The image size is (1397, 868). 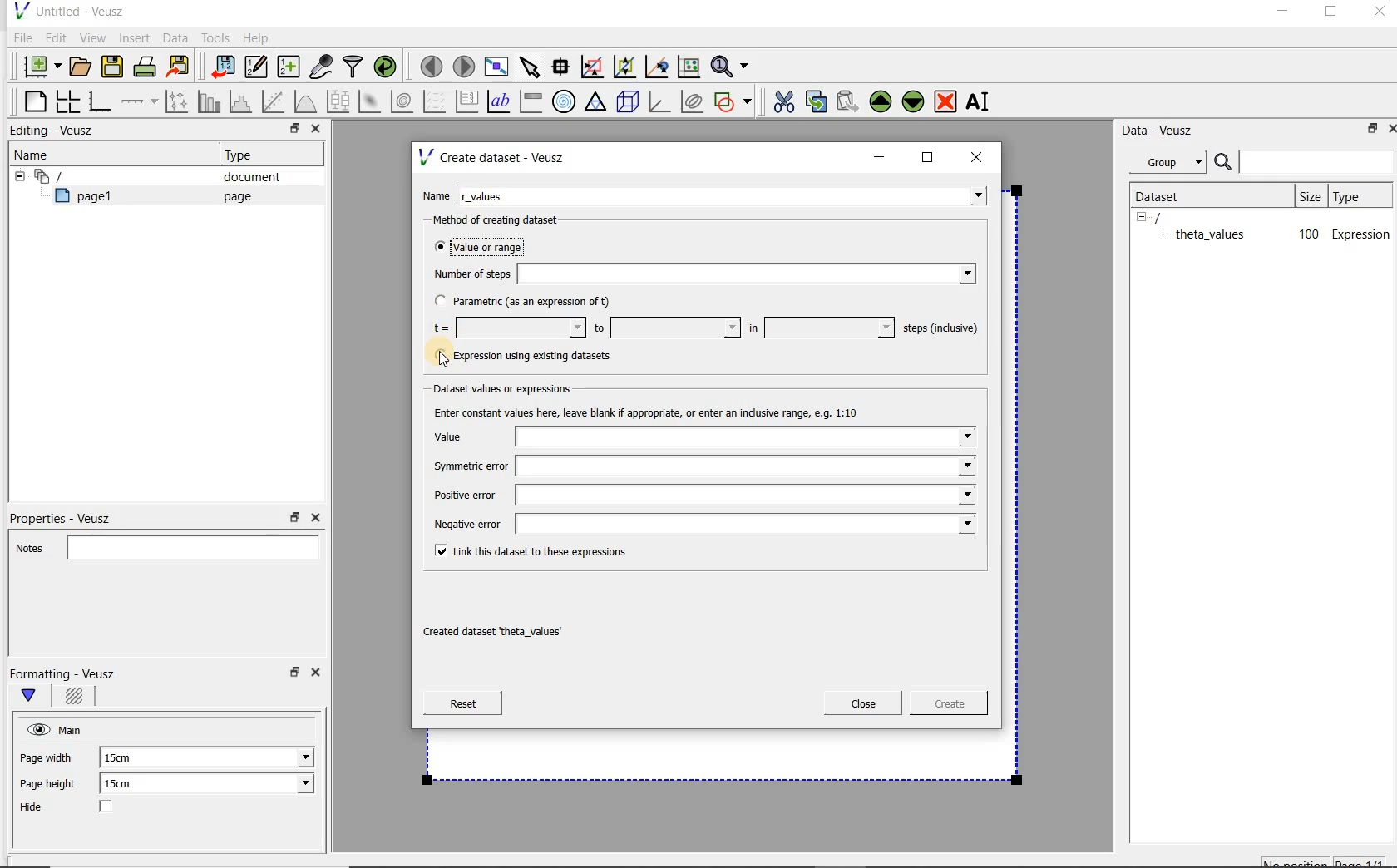 I want to click on minimize, so click(x=1281, y=13).